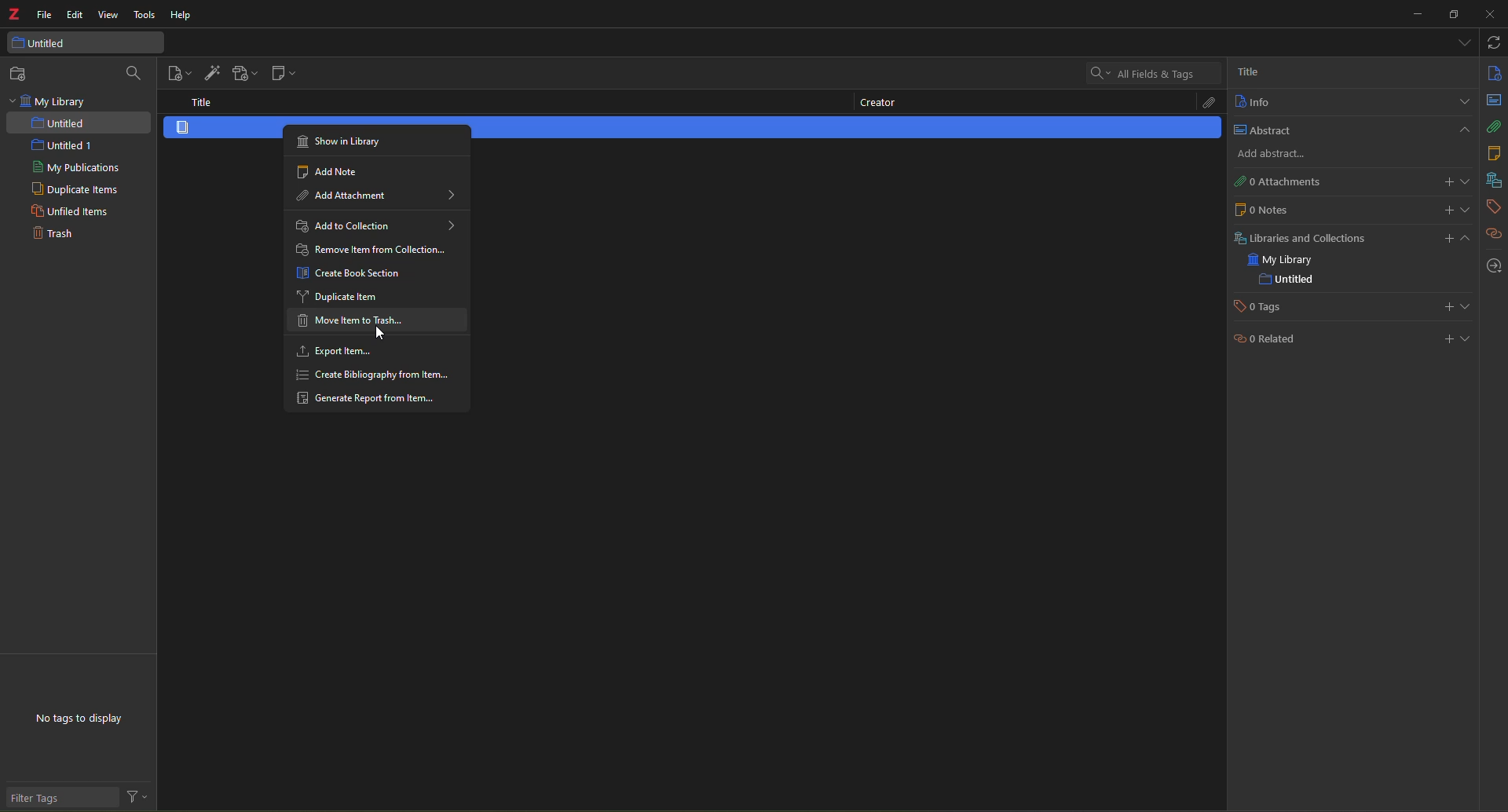 The height and width of the screenshot is (812, 1508). What do you see at coordinates (1260, 130) in the screenshot?
I see `abstract` at bounding box center [1260, 130].